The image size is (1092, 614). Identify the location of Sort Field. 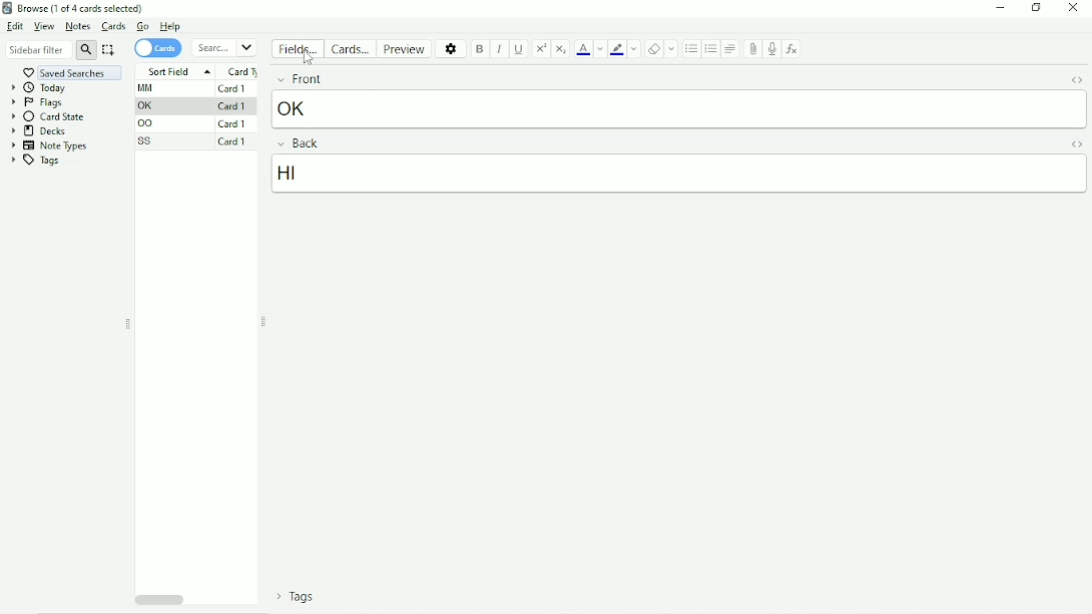
(175, 70).